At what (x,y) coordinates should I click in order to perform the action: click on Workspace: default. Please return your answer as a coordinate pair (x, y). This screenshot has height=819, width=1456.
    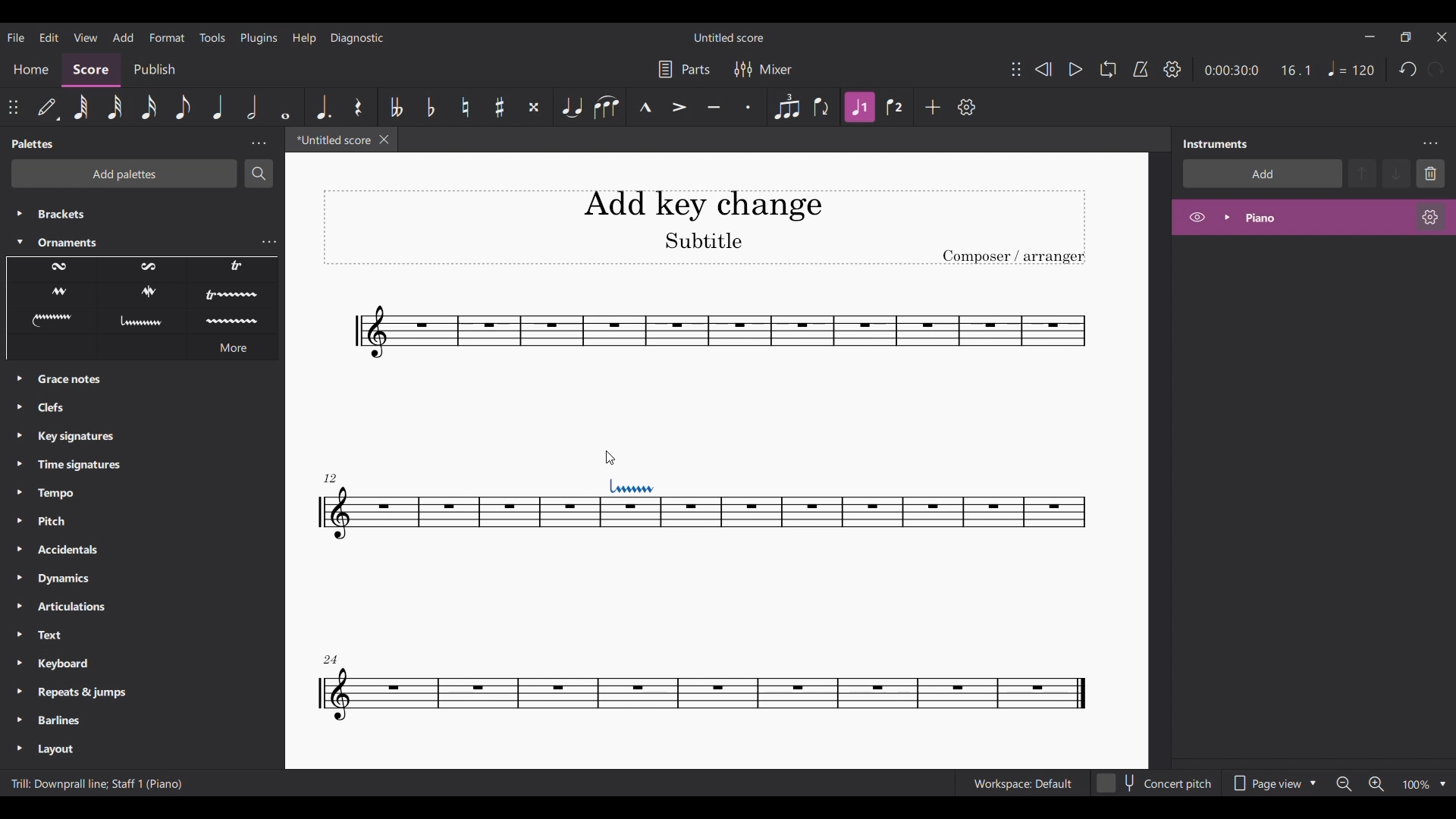
    Looking at the image, I should click on (1023, 783).